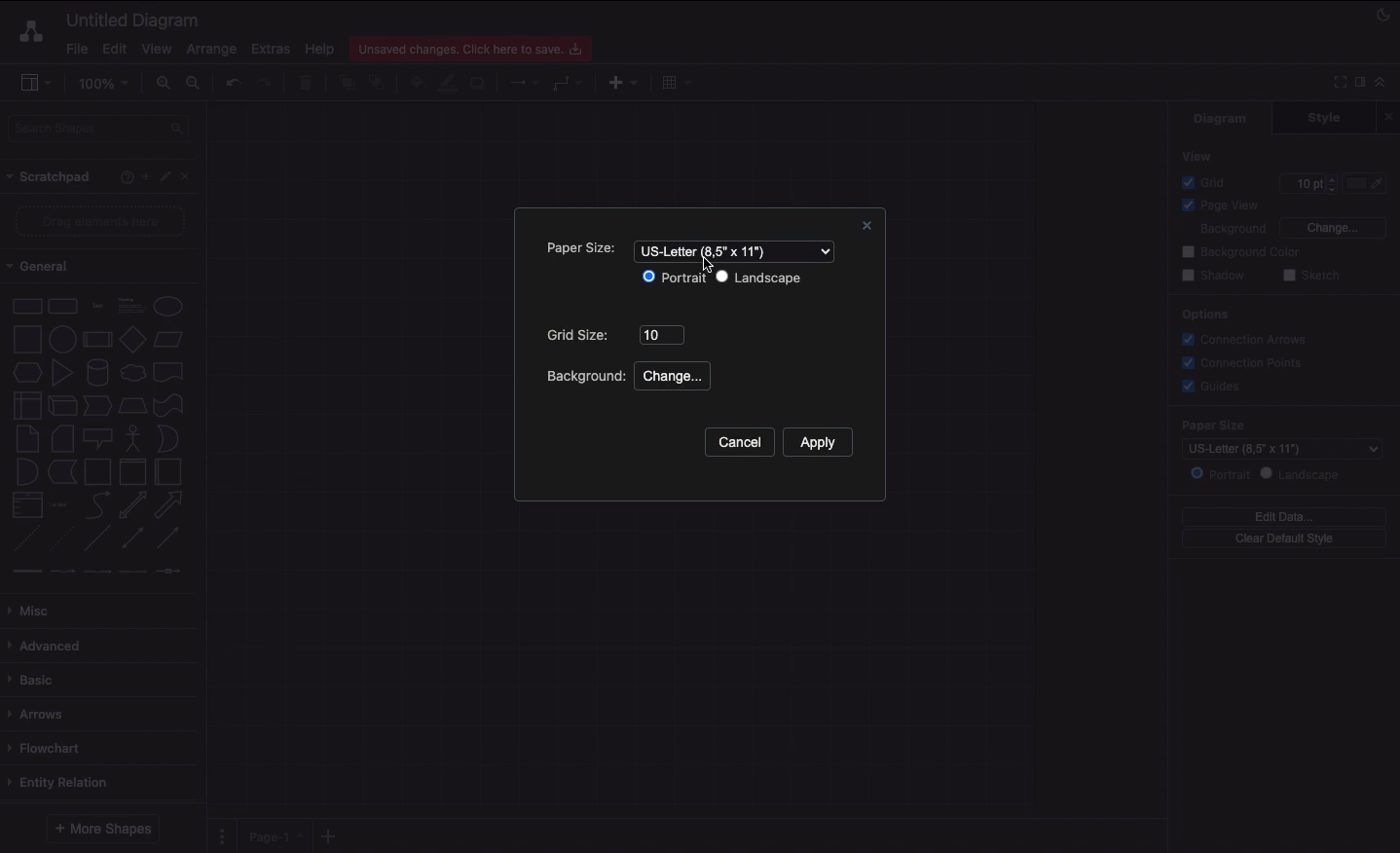 This screenshot has width=1400, height=853. Describe the element at coordinates (62, 473) in the screenshot. I see `Data storage` at that location.